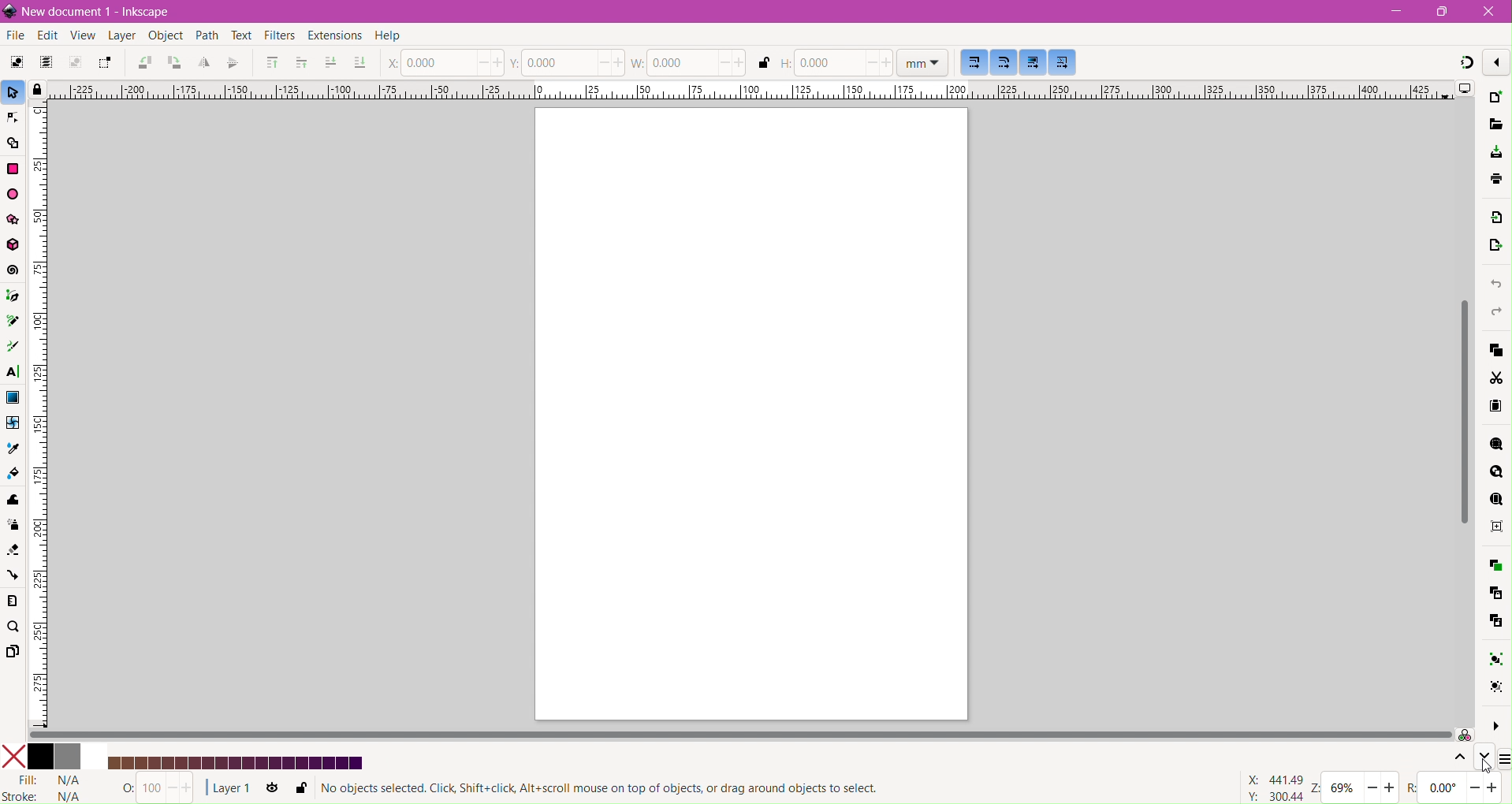  I want to click on Zoom Center Page, so click(1495, 529).